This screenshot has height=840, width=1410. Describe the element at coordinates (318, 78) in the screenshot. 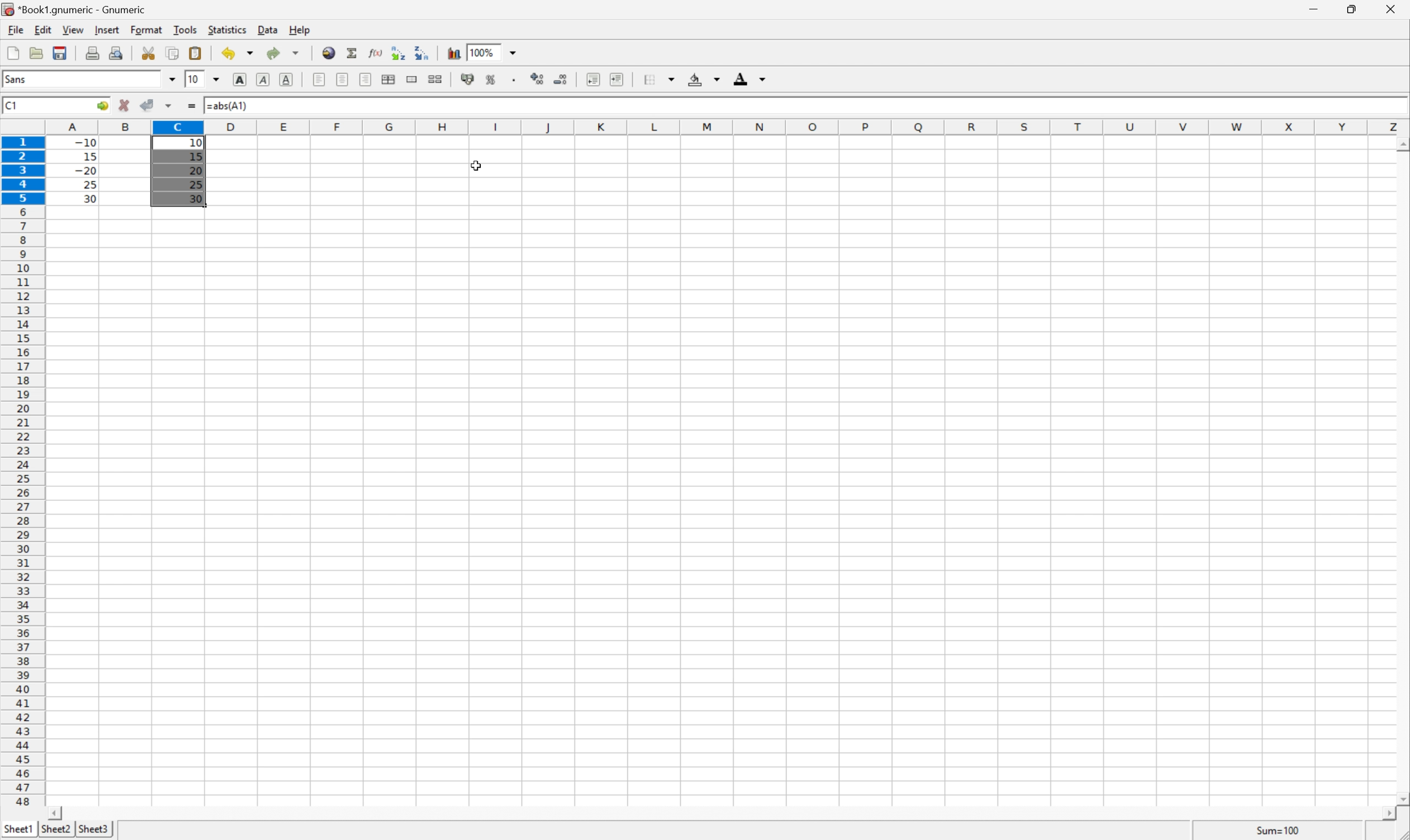

I see `Align left` at that location.